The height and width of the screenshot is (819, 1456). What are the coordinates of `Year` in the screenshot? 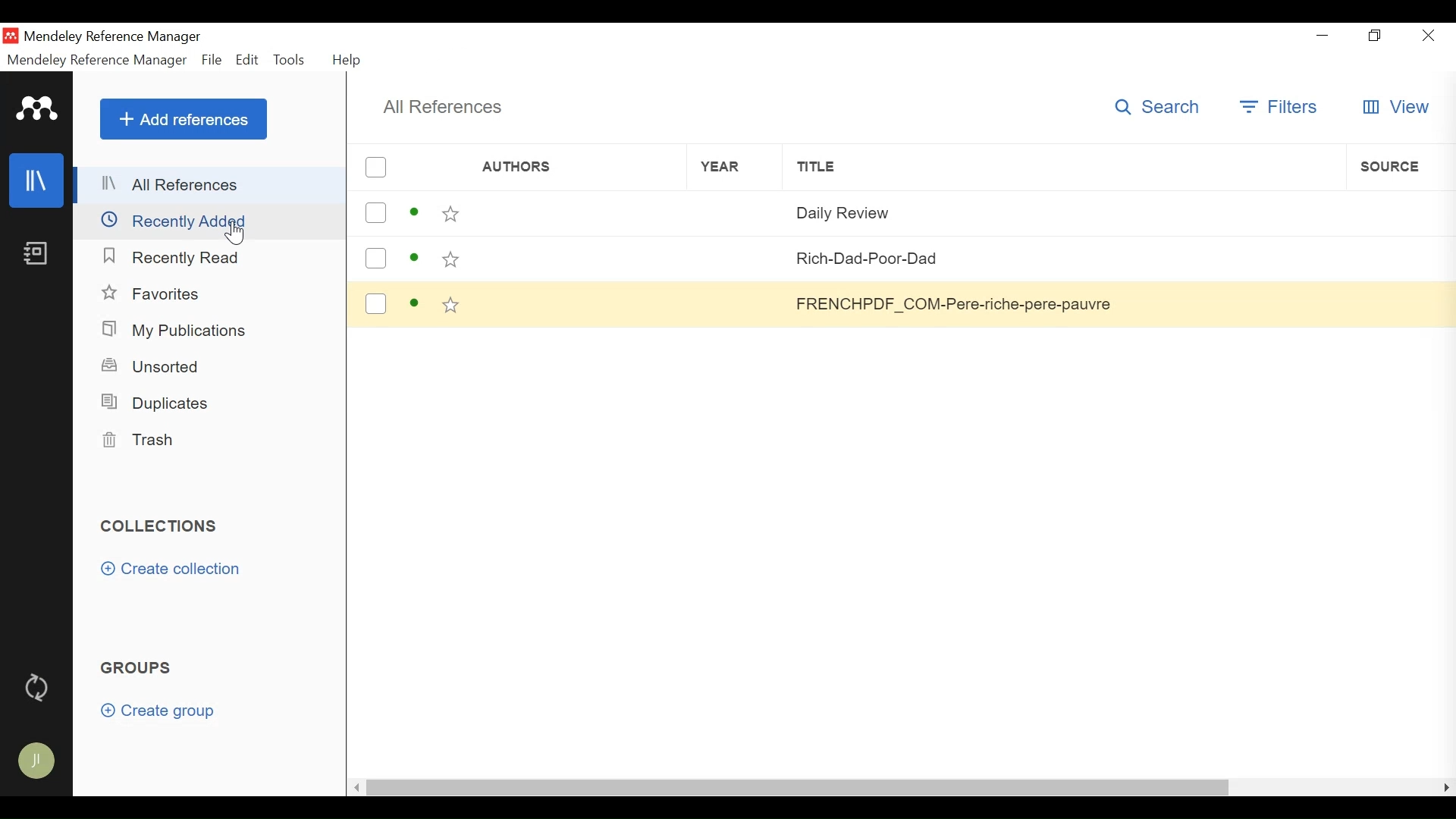 It's located at (715, 167).